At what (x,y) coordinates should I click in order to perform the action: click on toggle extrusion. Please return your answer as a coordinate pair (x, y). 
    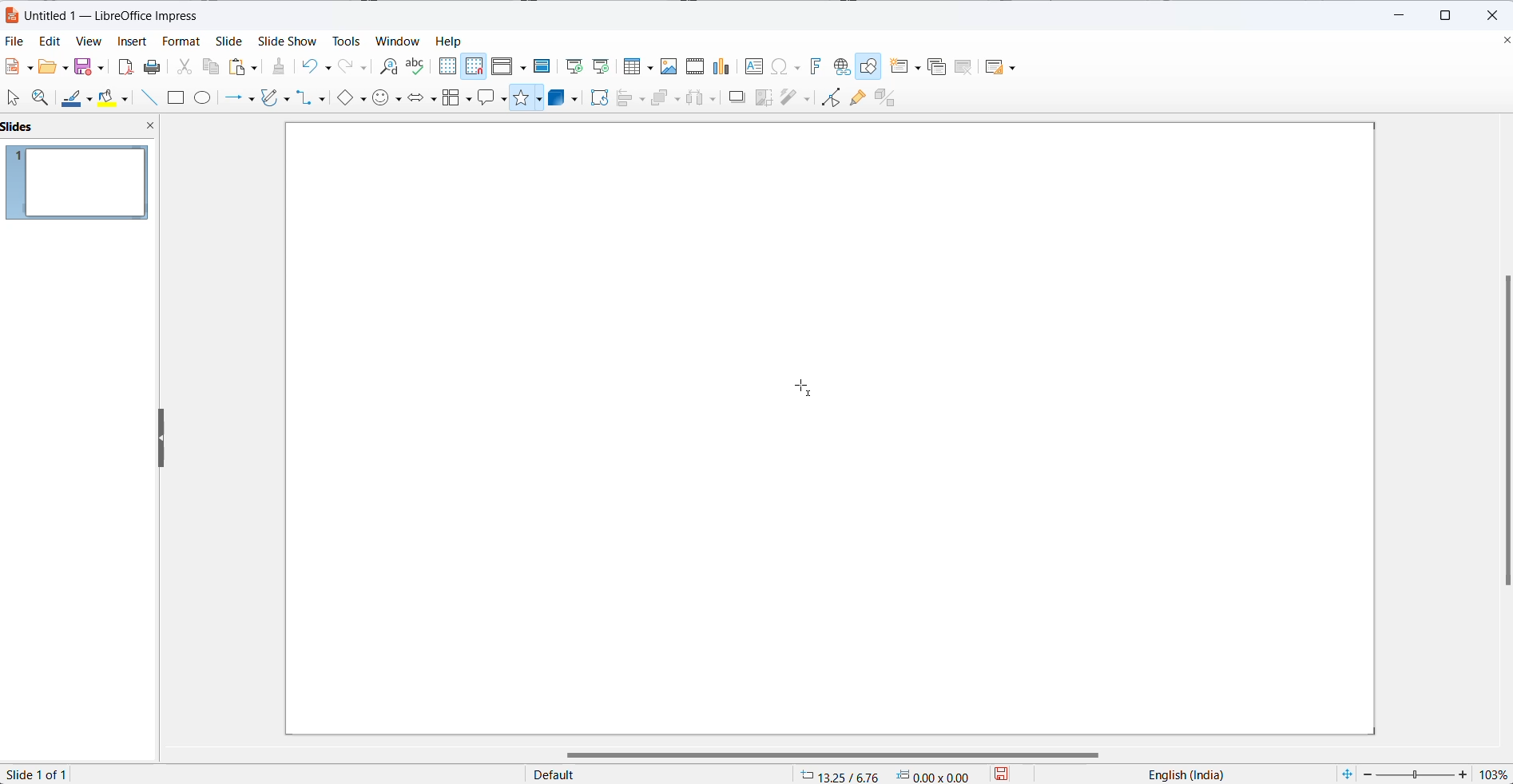
    Looking at the image, I should click on (888, 97).